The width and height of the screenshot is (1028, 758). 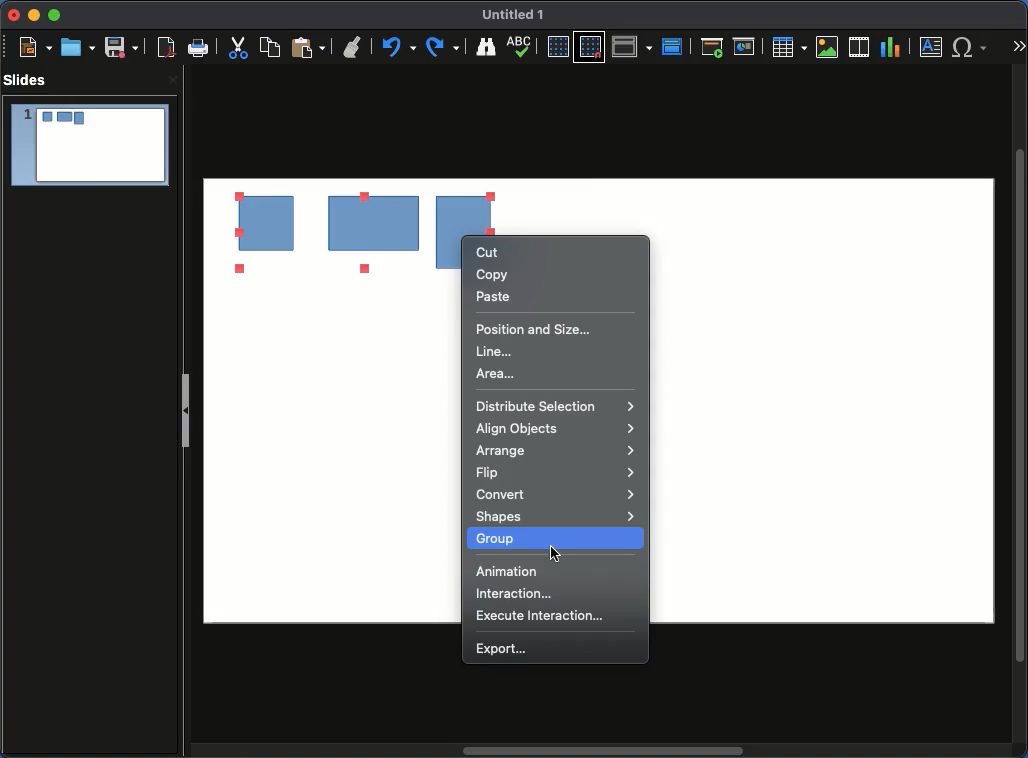 What do you see at coordinates (14, 16) in the screenshot?
I see `Close` at bounding box center [14, 16].